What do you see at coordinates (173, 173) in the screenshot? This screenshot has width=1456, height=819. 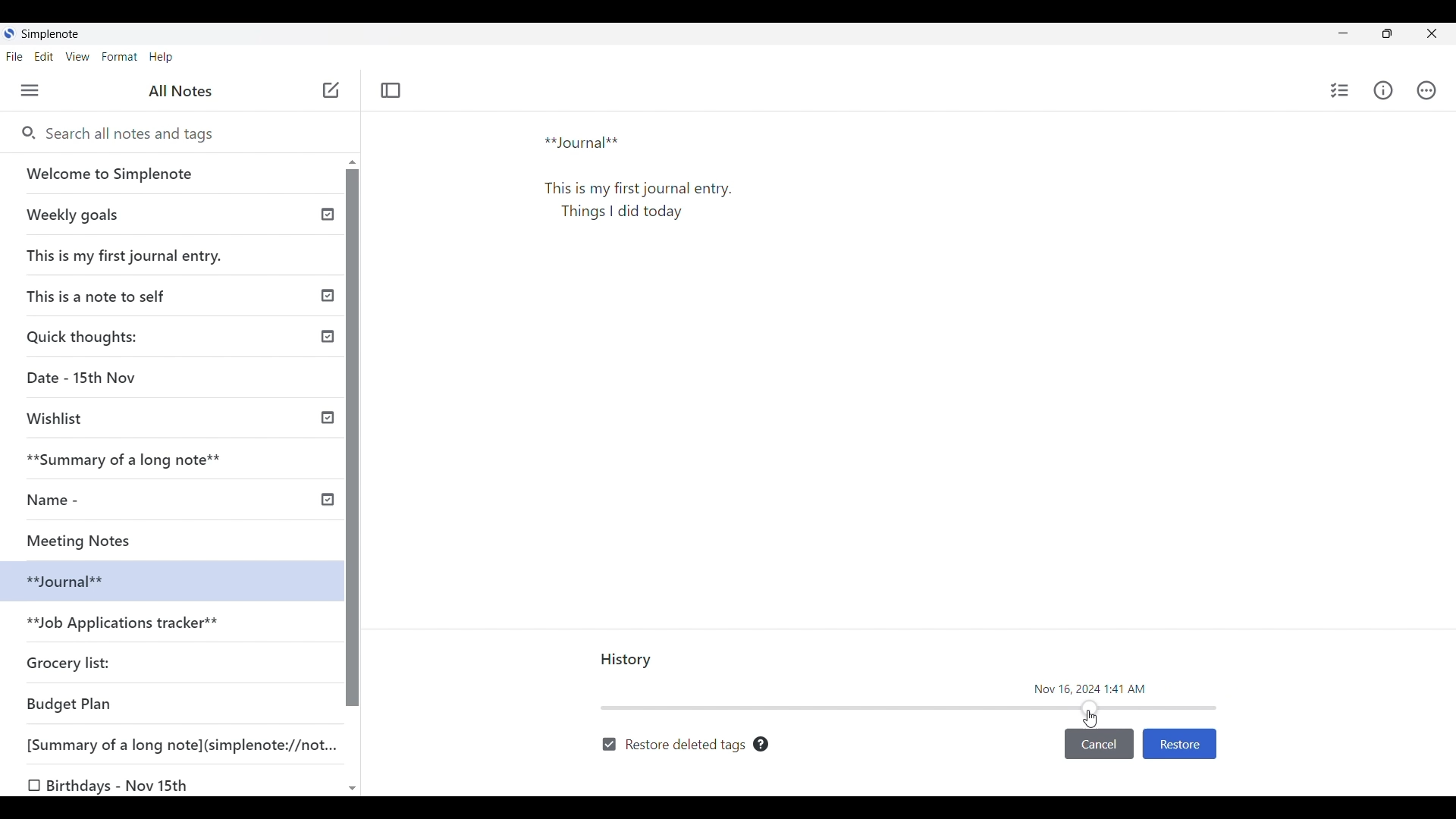 I see `Welcome note by SimpleNote` at bounding box center [173, 173].